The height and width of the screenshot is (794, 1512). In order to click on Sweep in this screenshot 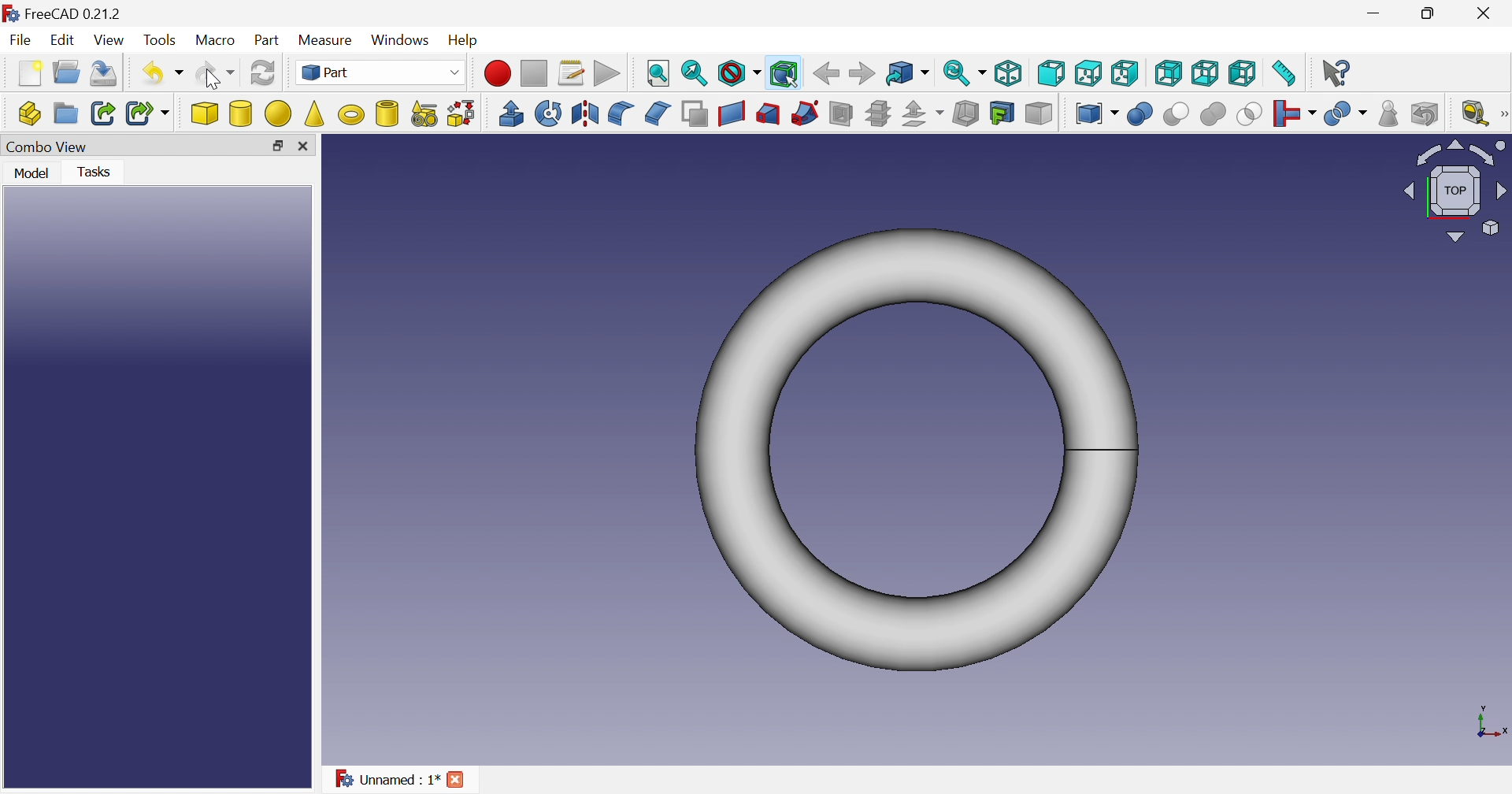, I will do `click(805, 113)`.